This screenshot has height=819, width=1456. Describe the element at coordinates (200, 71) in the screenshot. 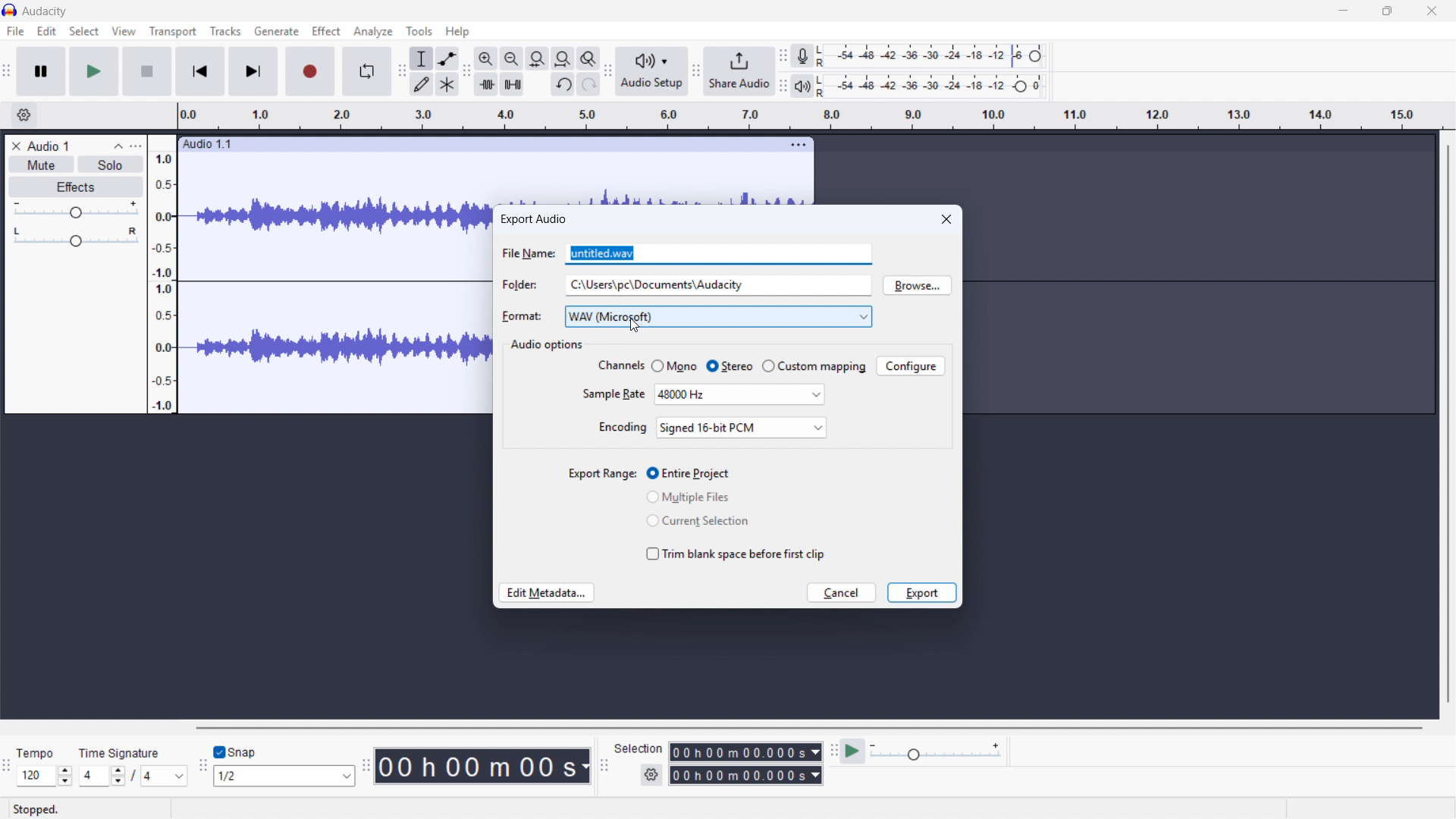

I see `Skip to beginning ` at that location.